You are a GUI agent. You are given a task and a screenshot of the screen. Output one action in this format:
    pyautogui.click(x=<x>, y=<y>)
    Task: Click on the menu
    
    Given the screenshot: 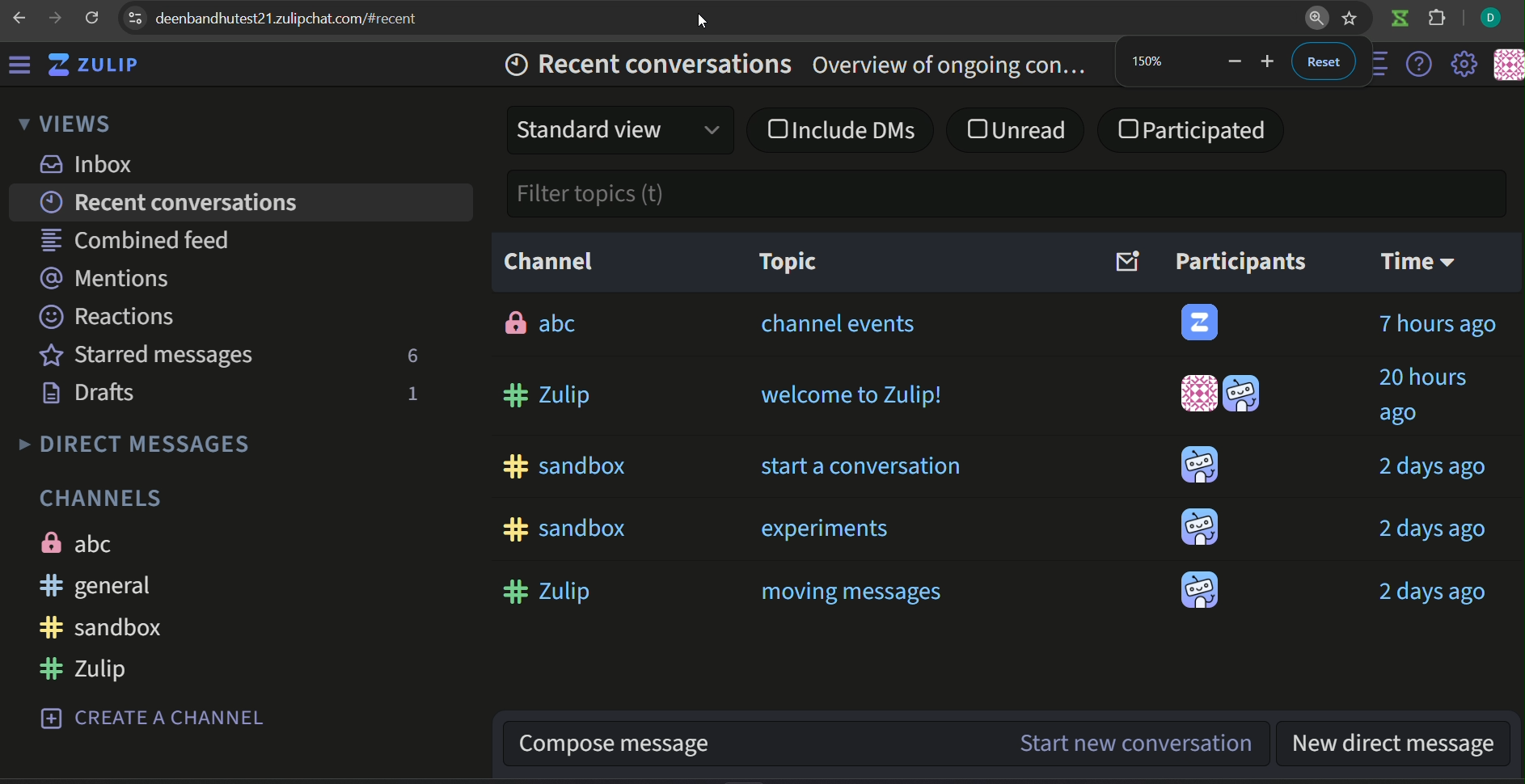 What is the action you would take?
    pyautogui.click(x=20, y=63)
    